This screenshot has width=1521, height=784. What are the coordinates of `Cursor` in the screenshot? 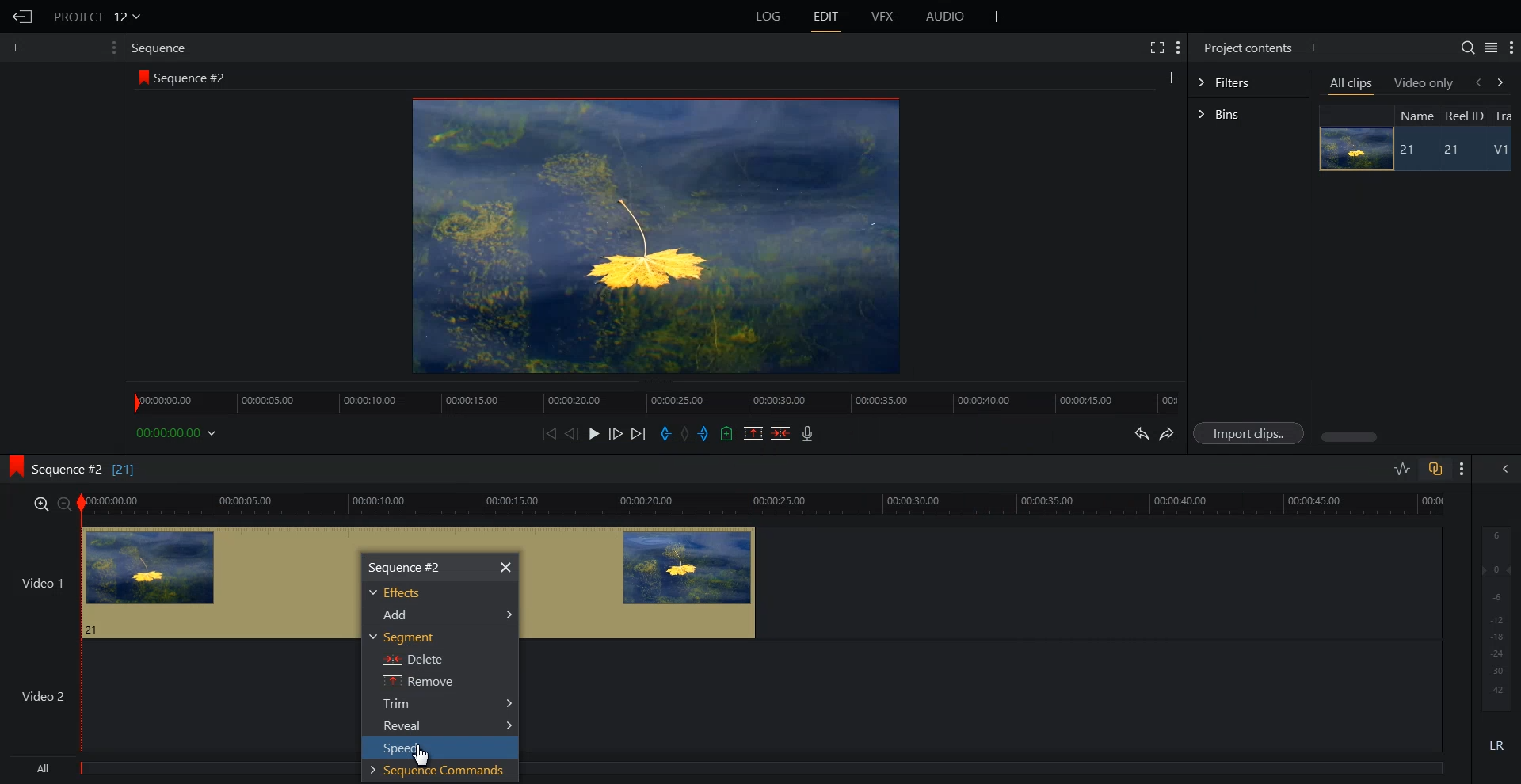 It's located at (422, 756).